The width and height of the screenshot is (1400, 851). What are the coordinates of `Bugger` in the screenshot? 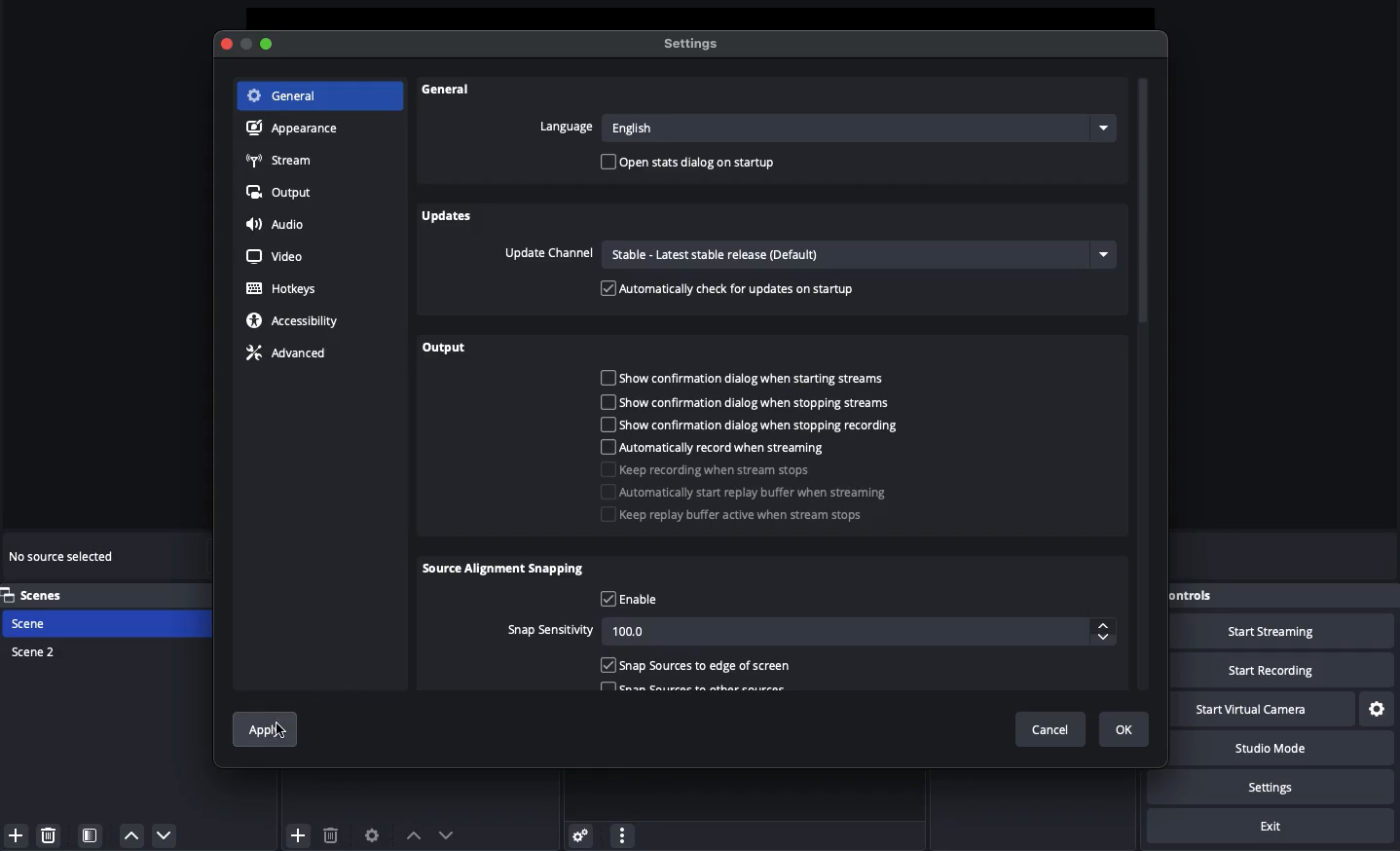 It's located at (755, 504).